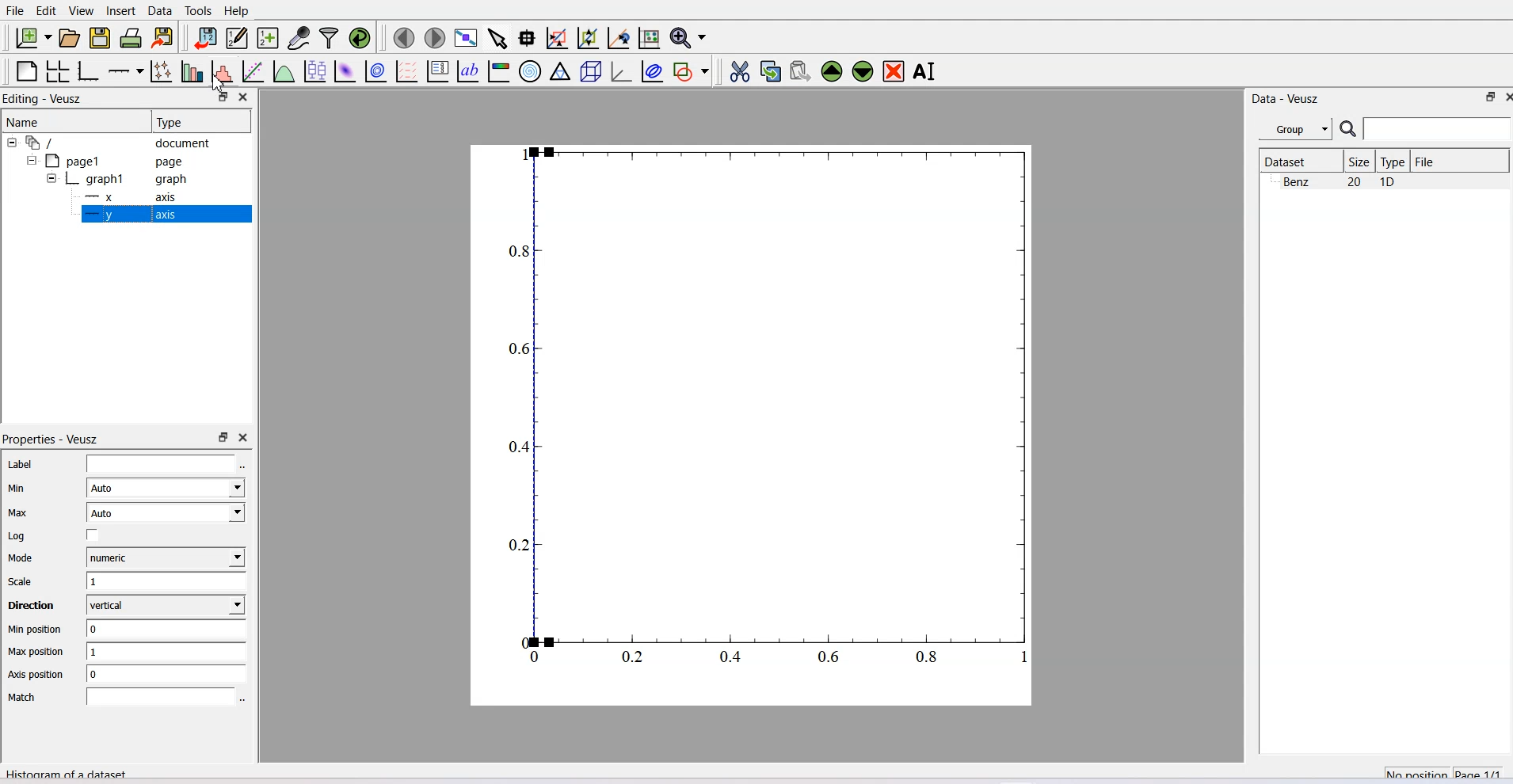  Describe the element at coordinates (223, 438) in the screenshot. I see `Maximize` at that location.